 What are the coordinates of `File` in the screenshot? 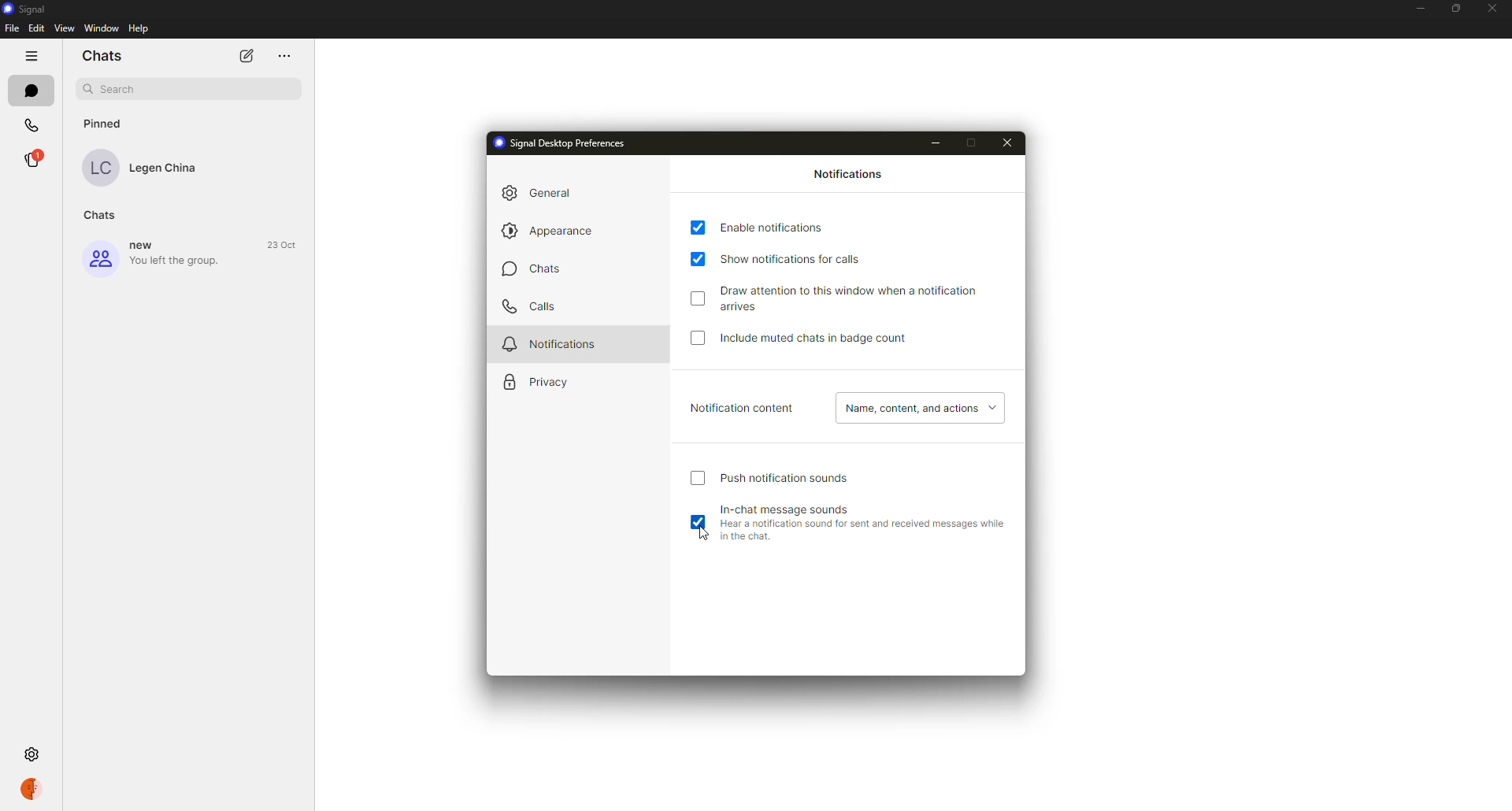 It's located at (13, 28).